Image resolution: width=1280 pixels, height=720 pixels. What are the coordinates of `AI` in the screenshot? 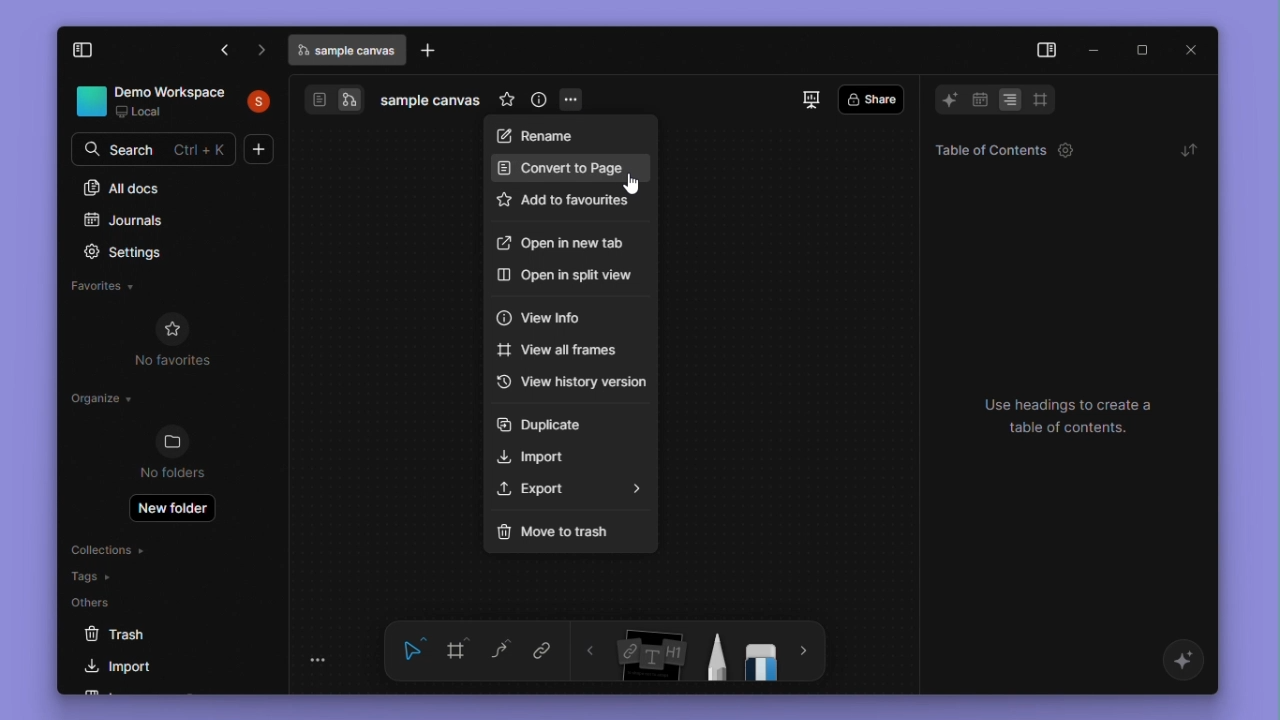 It's located at (944, 100).